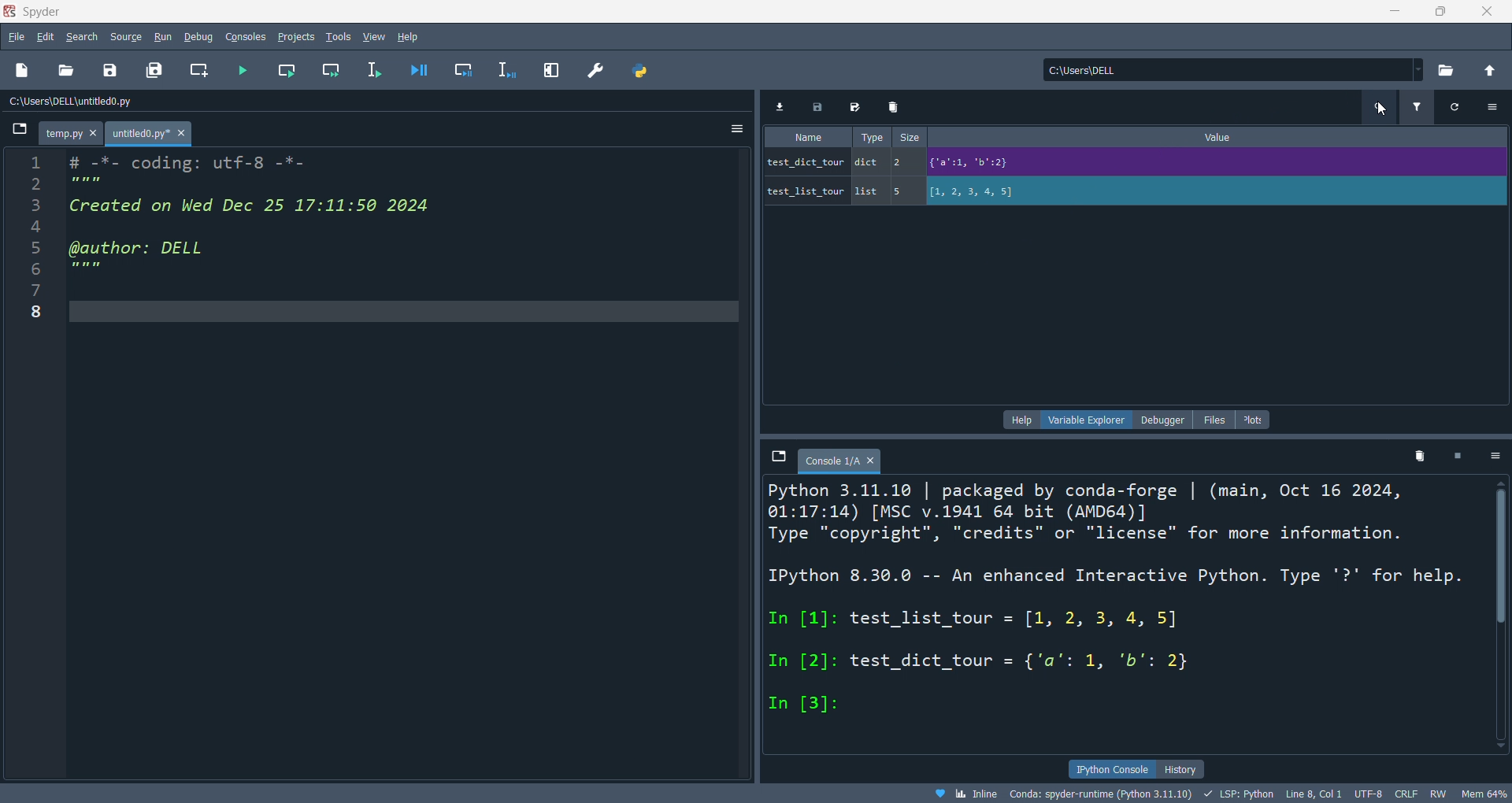 The width and height of the screenshot is (1512, 803). What do you see at coordinates (239, 71) in the screenshot?
I see `run file` at bounding box center [239, 71].